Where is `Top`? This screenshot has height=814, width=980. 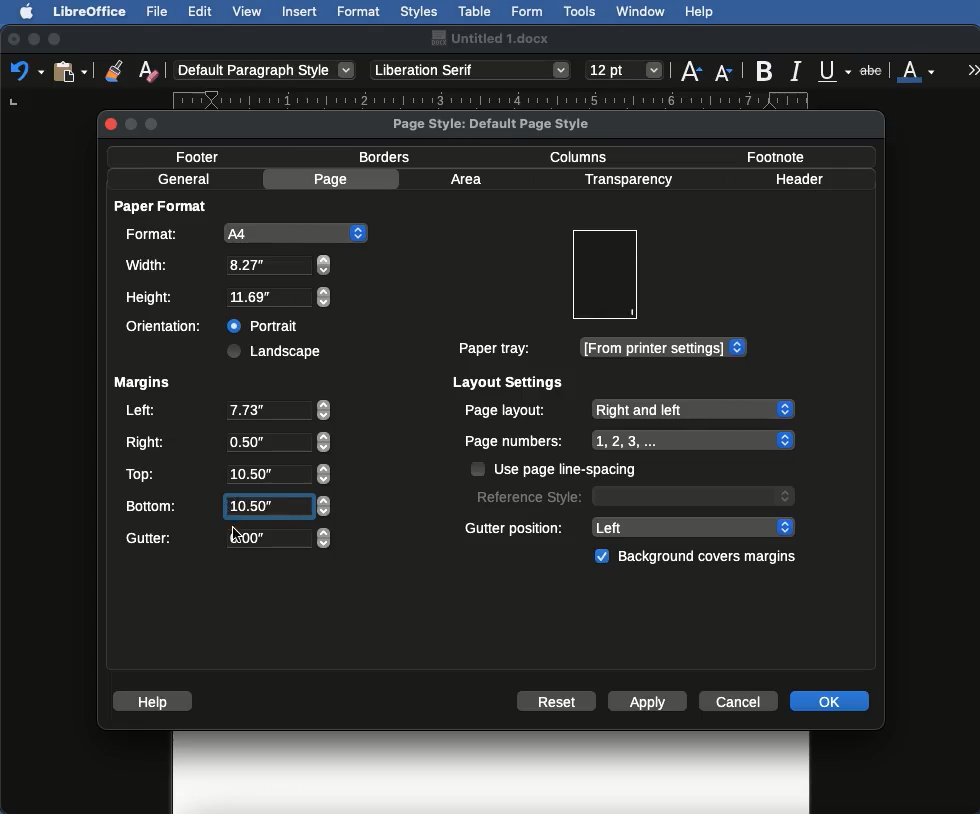
Top is located at coordinates (225, 474).